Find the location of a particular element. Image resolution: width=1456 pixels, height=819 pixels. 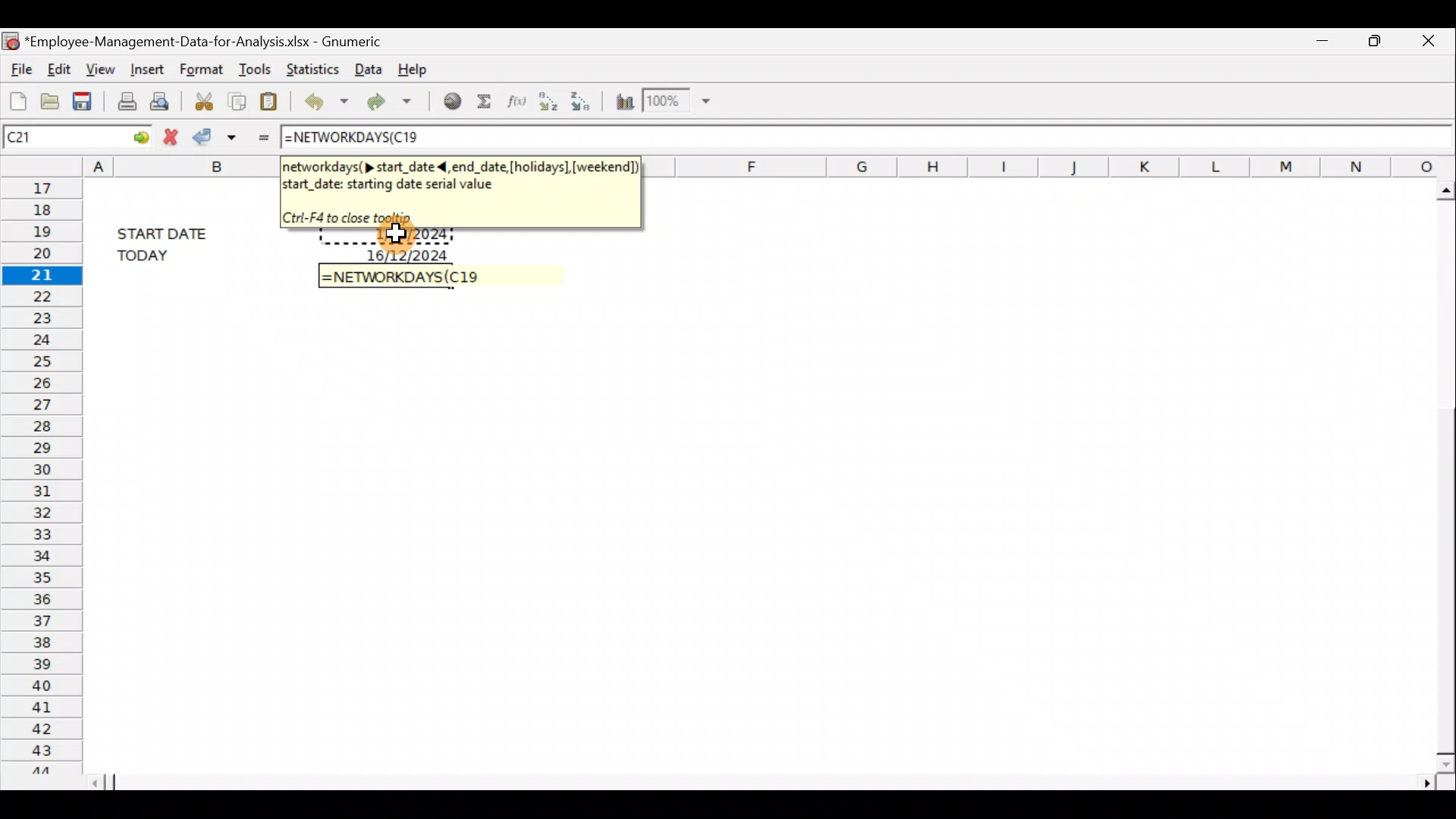

START DATE is located at coordinates (171, 231).